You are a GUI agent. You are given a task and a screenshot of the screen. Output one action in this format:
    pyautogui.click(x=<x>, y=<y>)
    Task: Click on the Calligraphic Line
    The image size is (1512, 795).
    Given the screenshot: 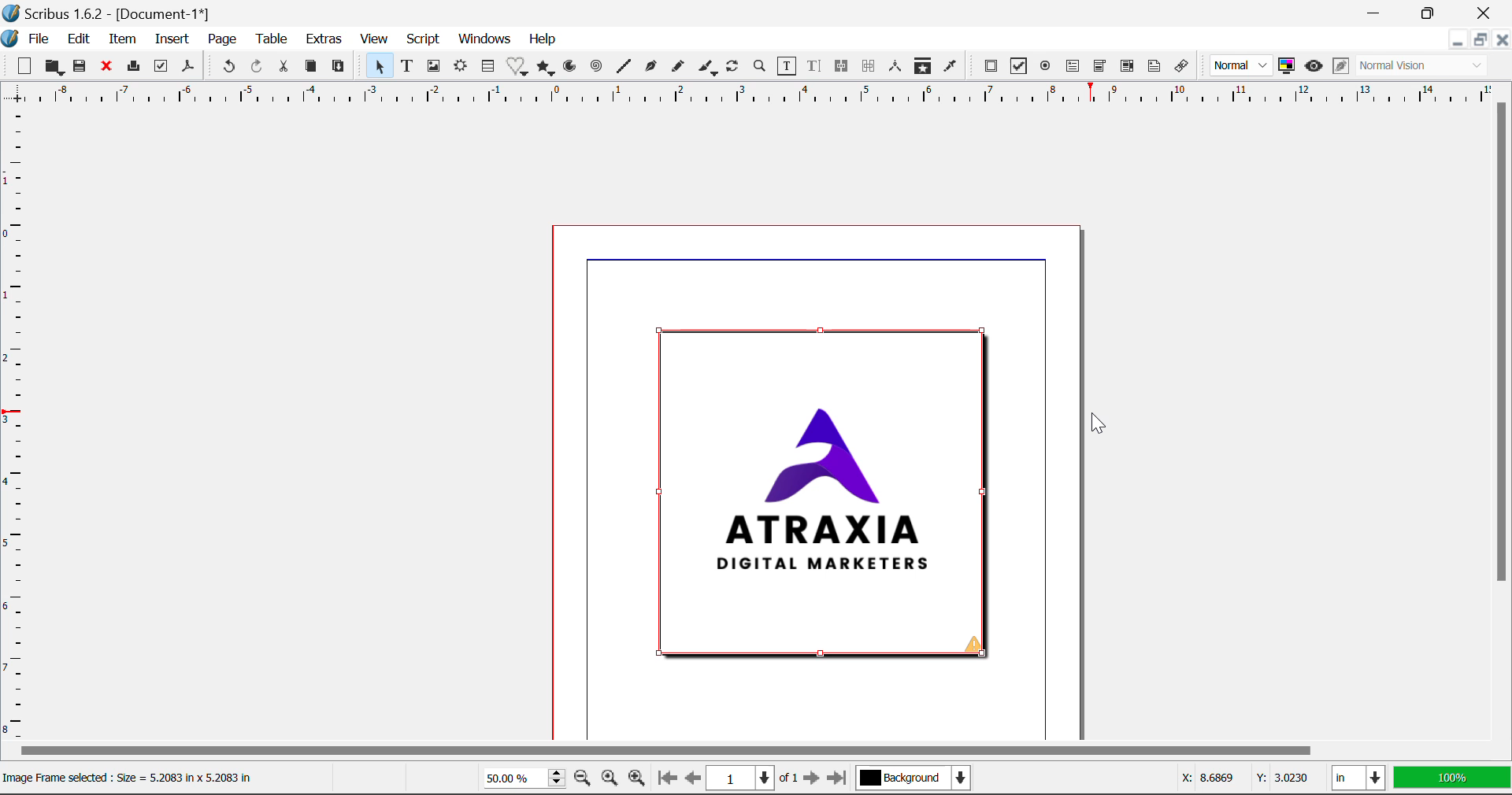 What is the action you would take?
    pyautogui.click(x=709, y=69)
    